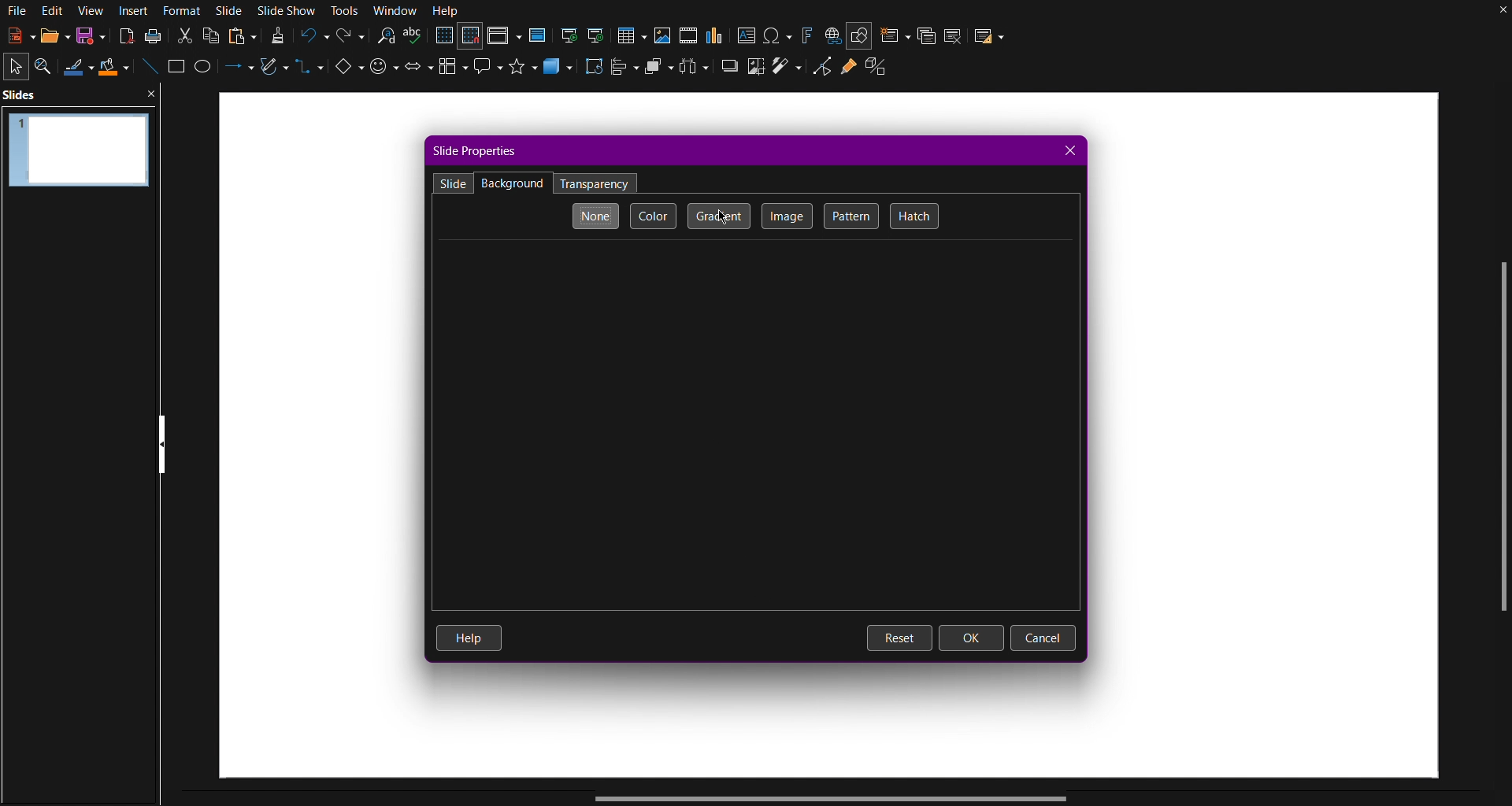  Describe the element at coordinates (860, 34) in the screenshot. I see `Show Draw Functions` at that location.